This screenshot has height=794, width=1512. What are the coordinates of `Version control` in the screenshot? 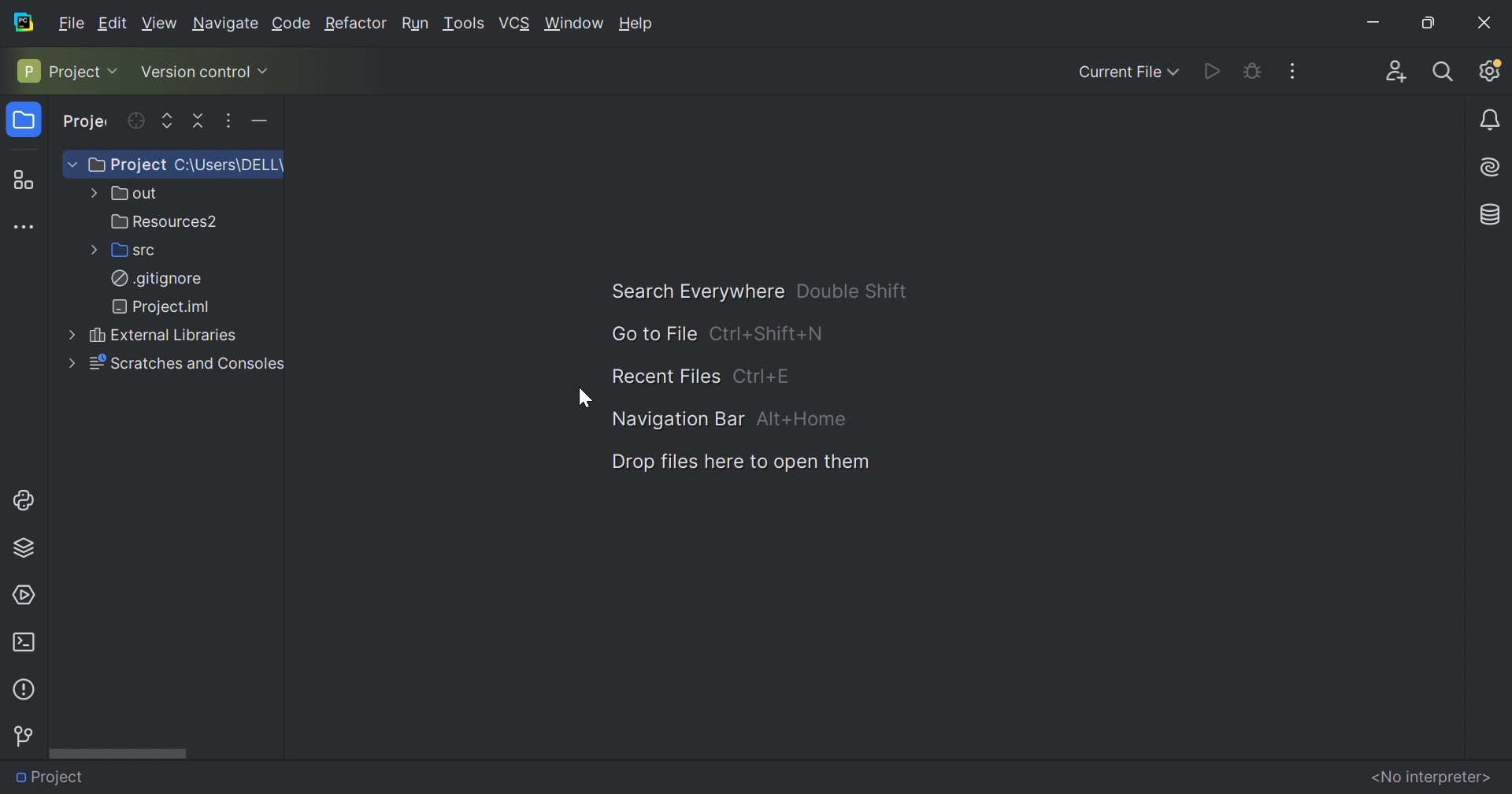 It's located at (22, 736).